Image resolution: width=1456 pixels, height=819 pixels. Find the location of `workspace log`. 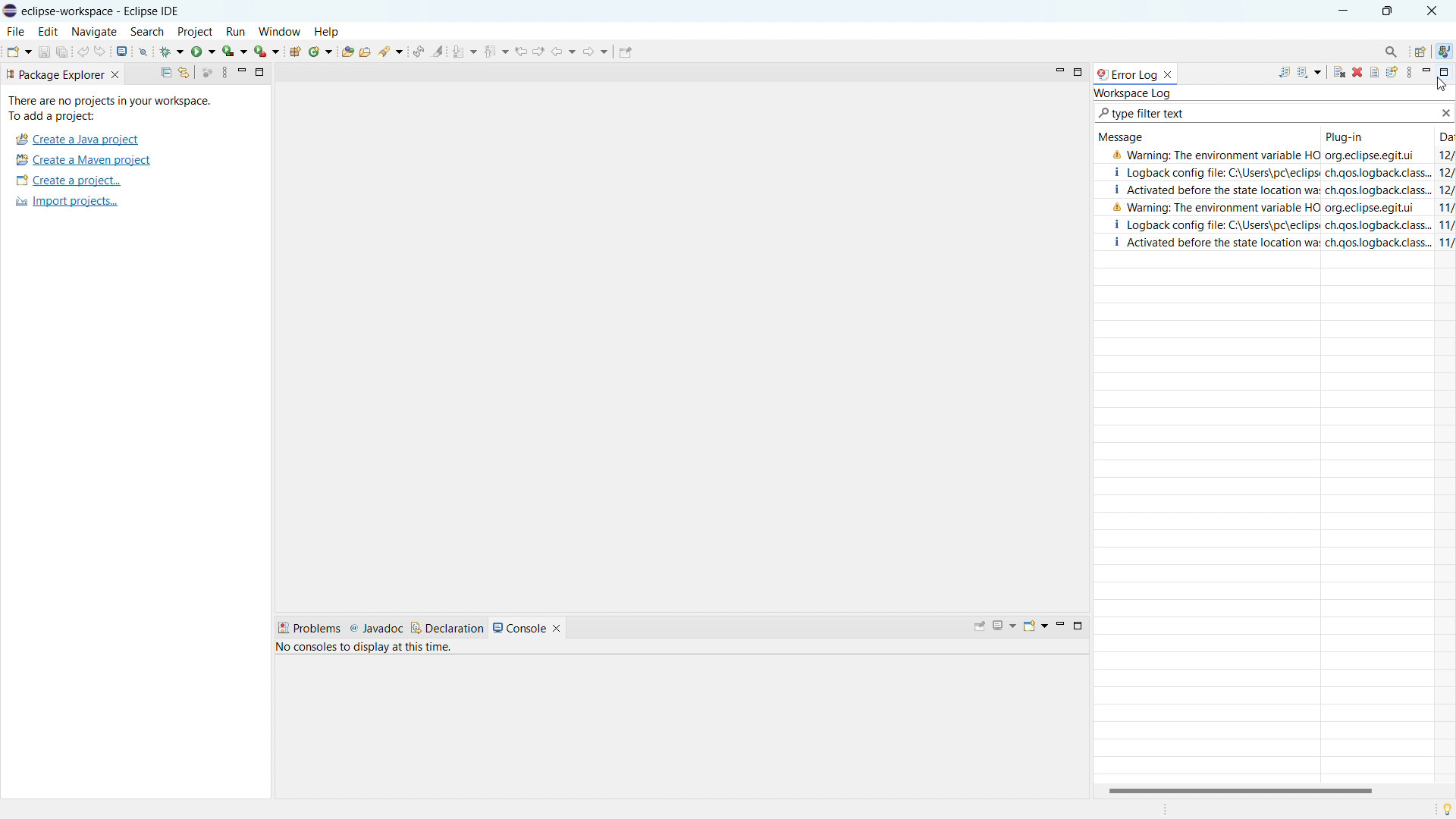

workspace log is located at coordinates (1134, 94).